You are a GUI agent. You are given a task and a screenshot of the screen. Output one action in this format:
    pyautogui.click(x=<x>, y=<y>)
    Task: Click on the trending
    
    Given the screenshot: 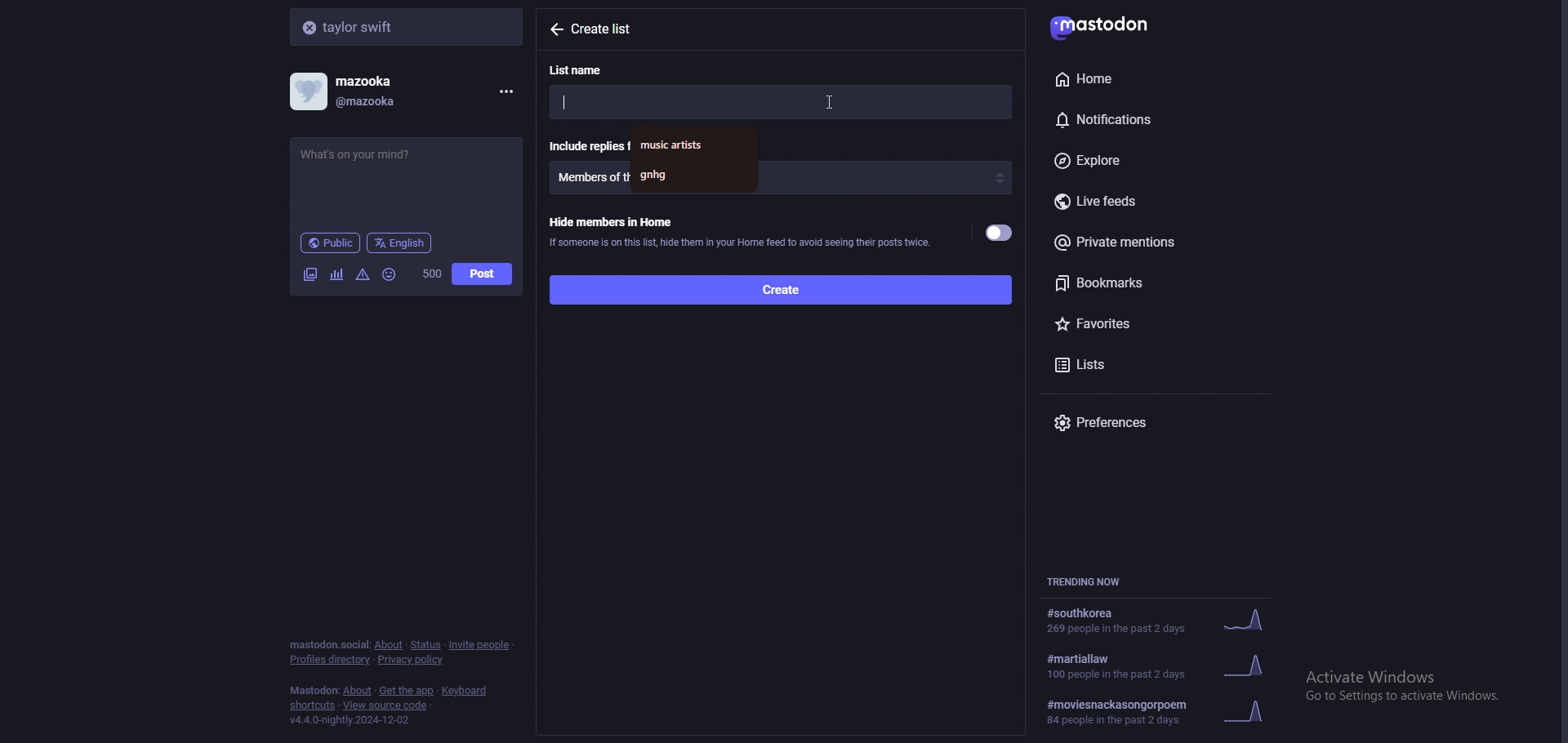 What is the action you would take?
    pyautogui.click(x=1168, y=665)
    